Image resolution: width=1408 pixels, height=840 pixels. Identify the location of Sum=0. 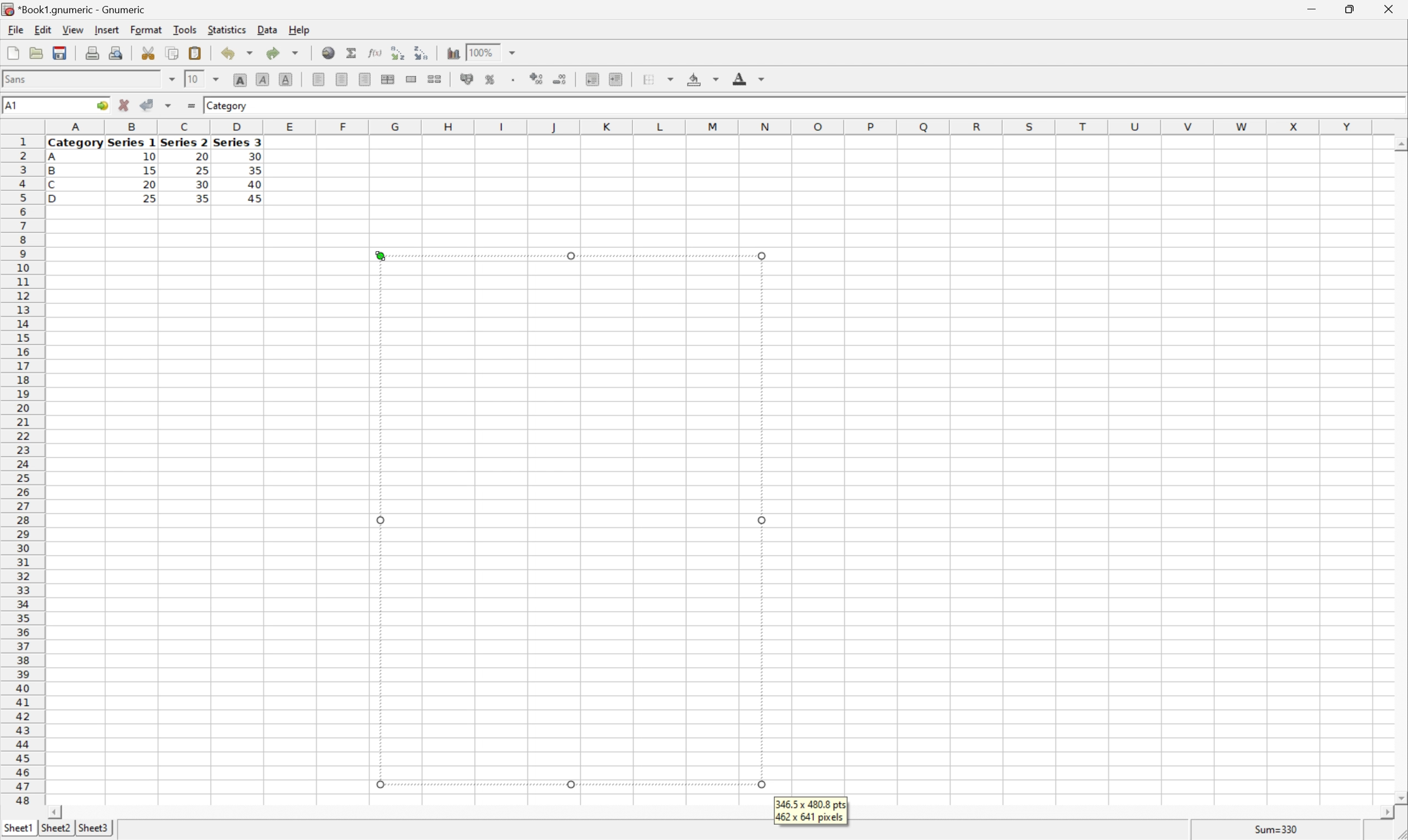
(1279, 832).